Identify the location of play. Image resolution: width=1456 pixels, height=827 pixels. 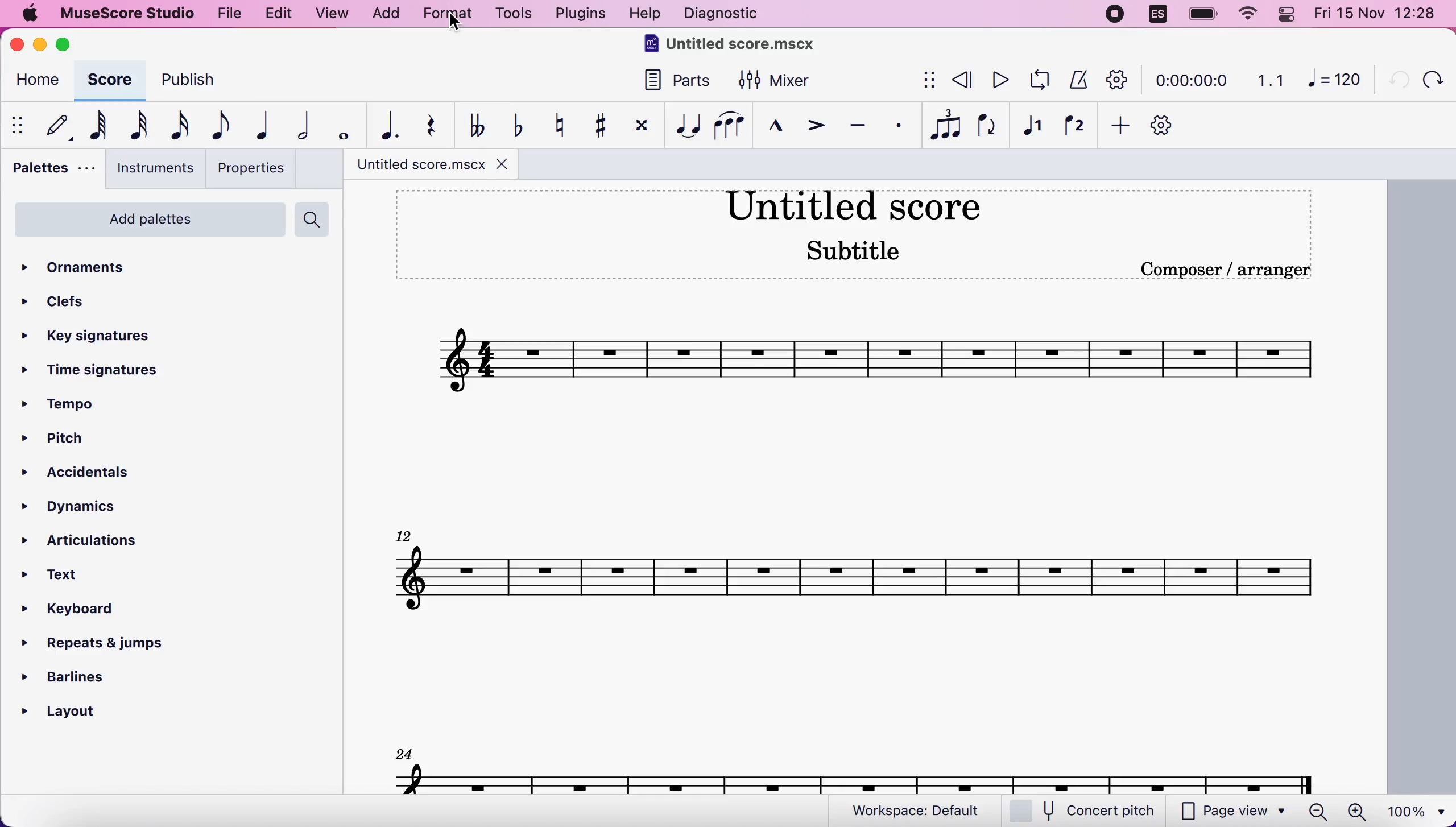
(998, 80).